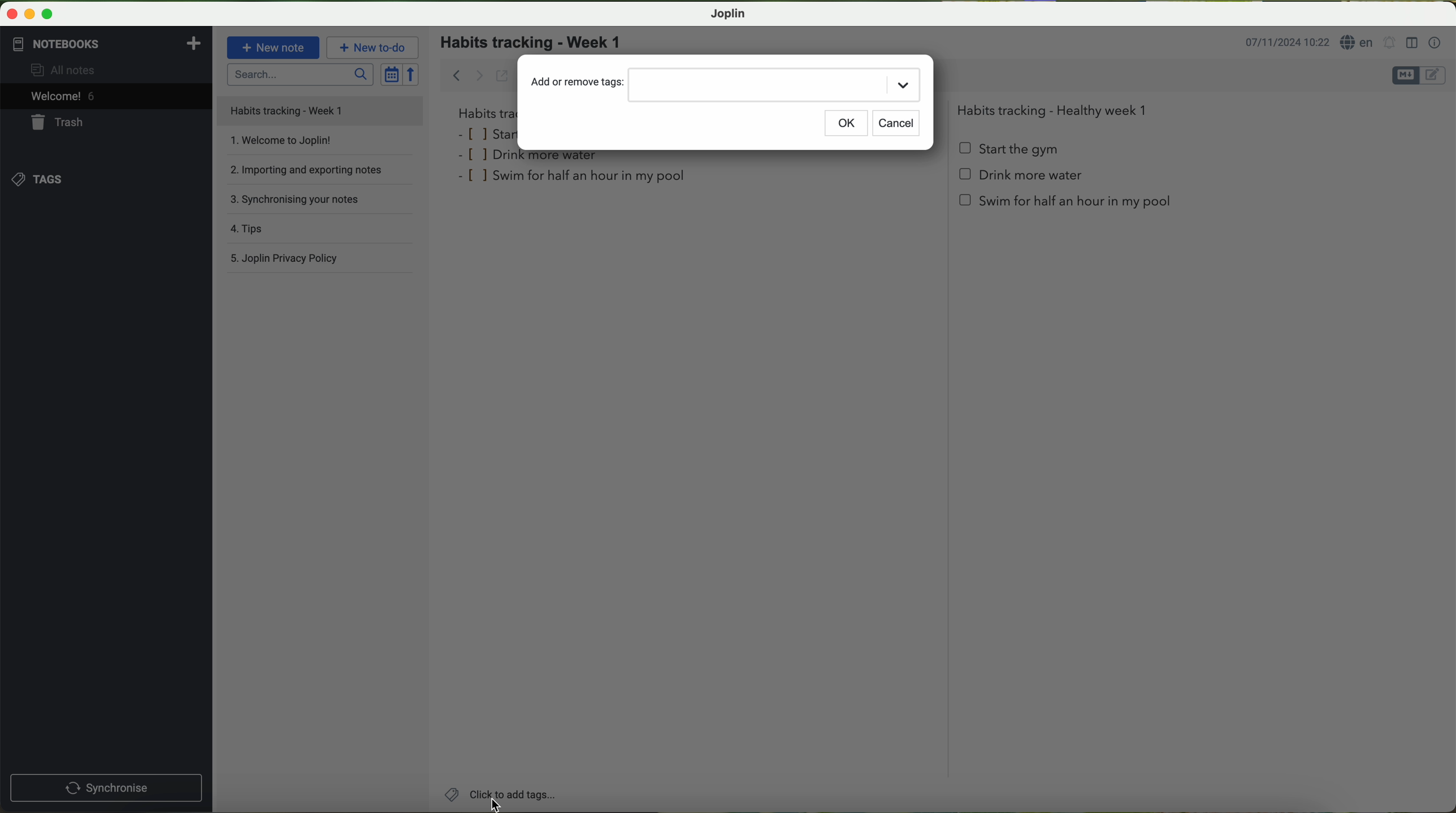 The image size is (1456, 813). Describe the element at coordinates (847, 124) in the screenshot. I see `OK` at that location.